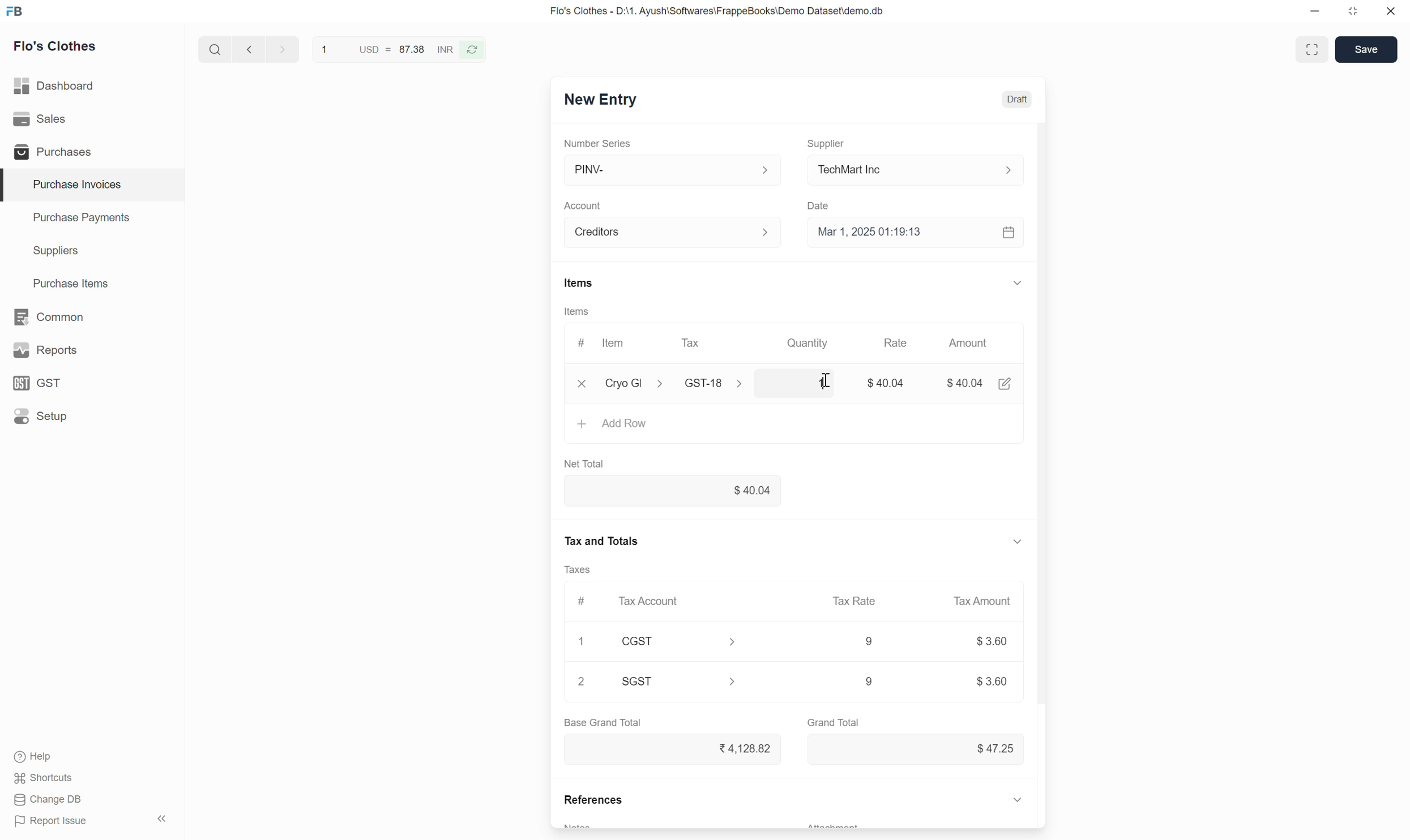 This screenshot has height=840, width=1410. What do you see at coordinates (903, 342) in the screenshot?
I see `Rate` at bounding box center [903, 342].